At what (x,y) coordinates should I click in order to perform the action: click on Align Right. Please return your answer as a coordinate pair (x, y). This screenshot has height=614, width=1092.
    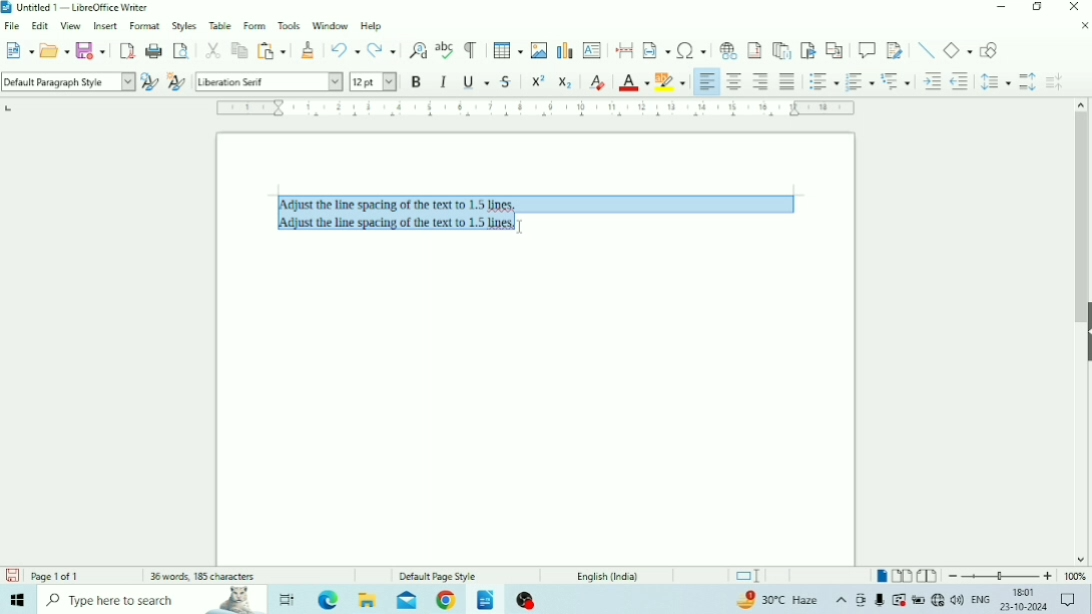
    Looking at the image, I should click on (759, 82).